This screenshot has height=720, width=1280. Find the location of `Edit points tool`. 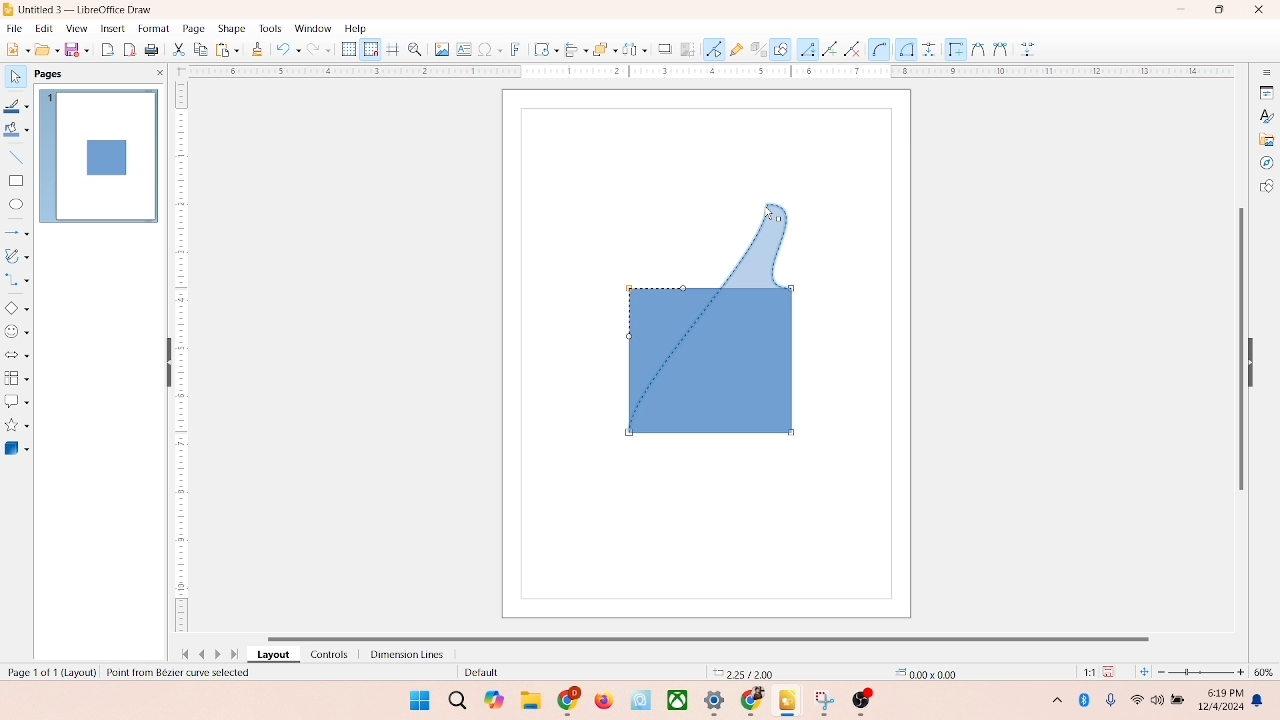

Edit points tool is located at coordinates (953, 48).